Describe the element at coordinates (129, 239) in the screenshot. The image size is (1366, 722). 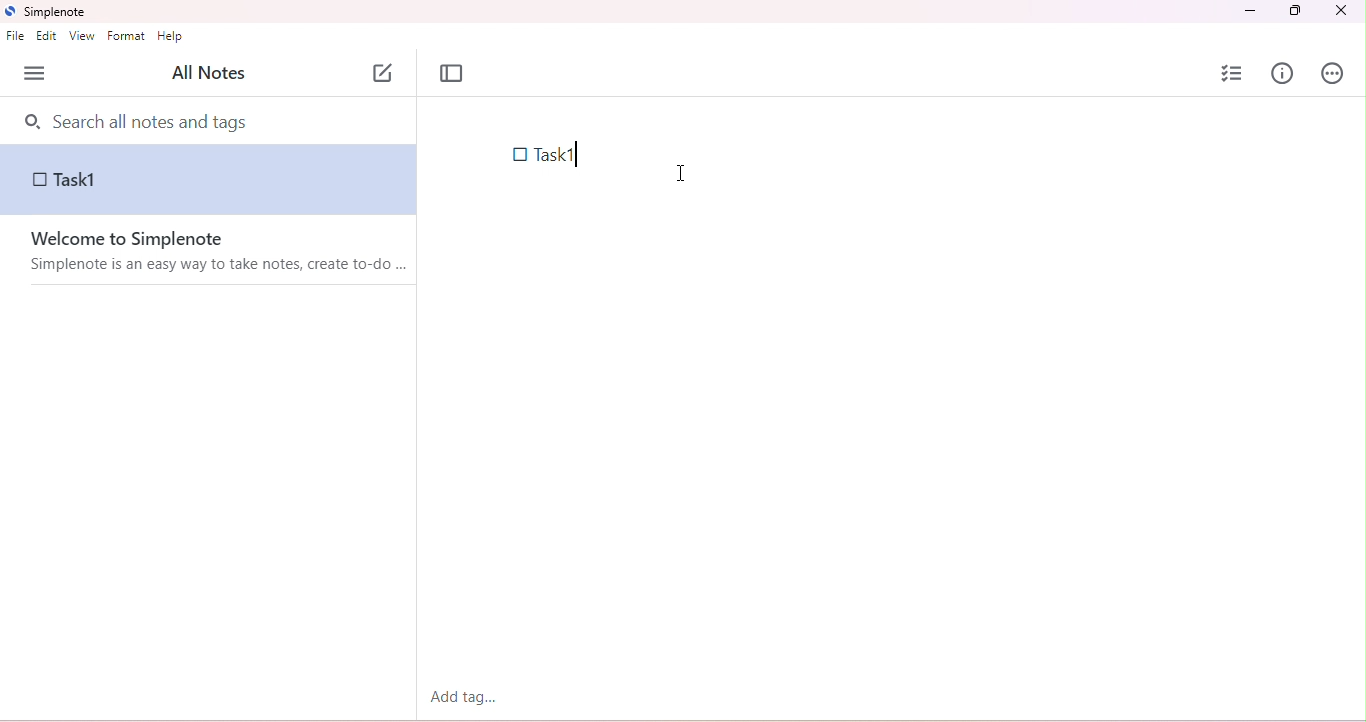
I see `welcome to simplenote` at that location.